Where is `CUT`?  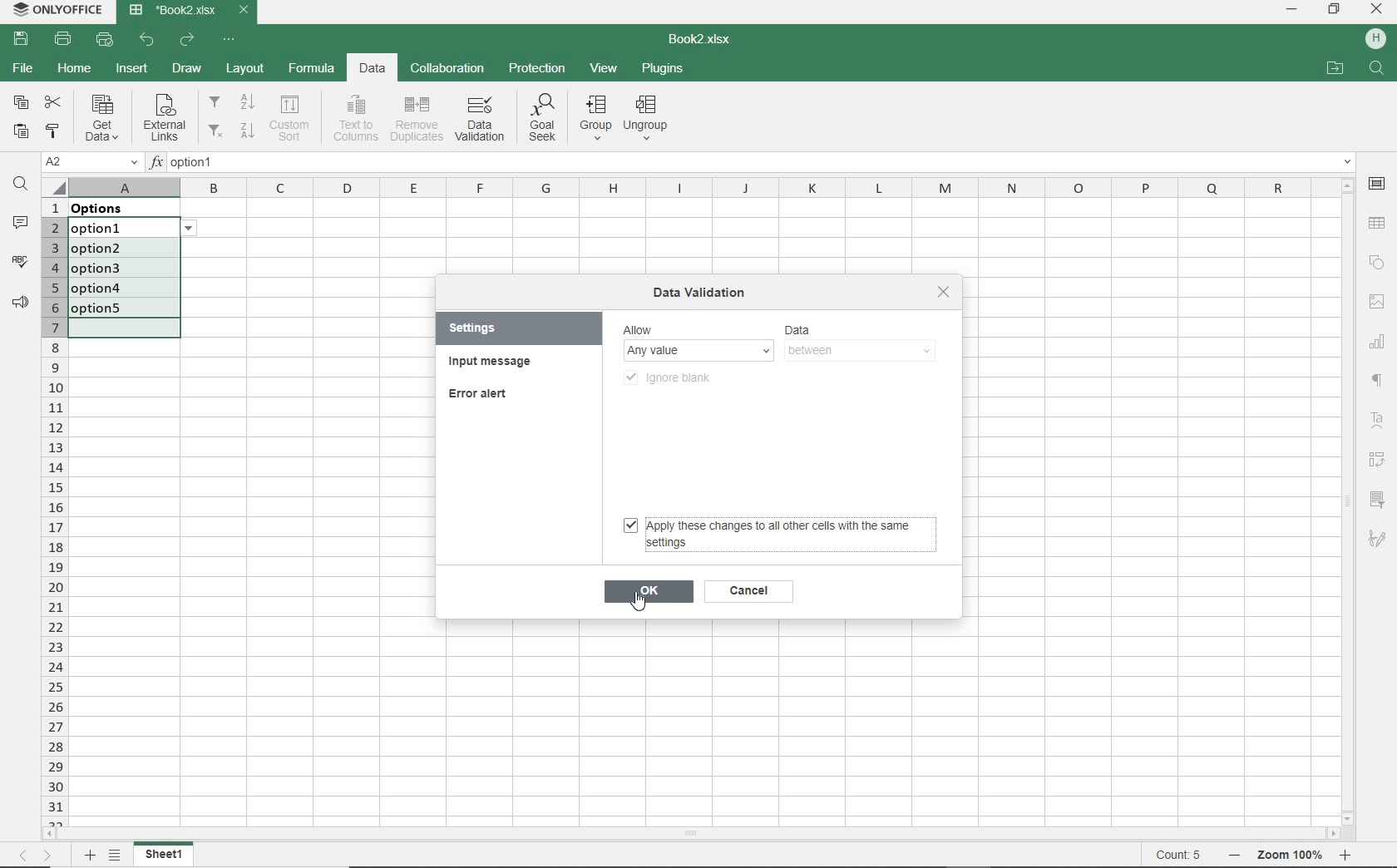 CUT is located at coordinates (52, 101).